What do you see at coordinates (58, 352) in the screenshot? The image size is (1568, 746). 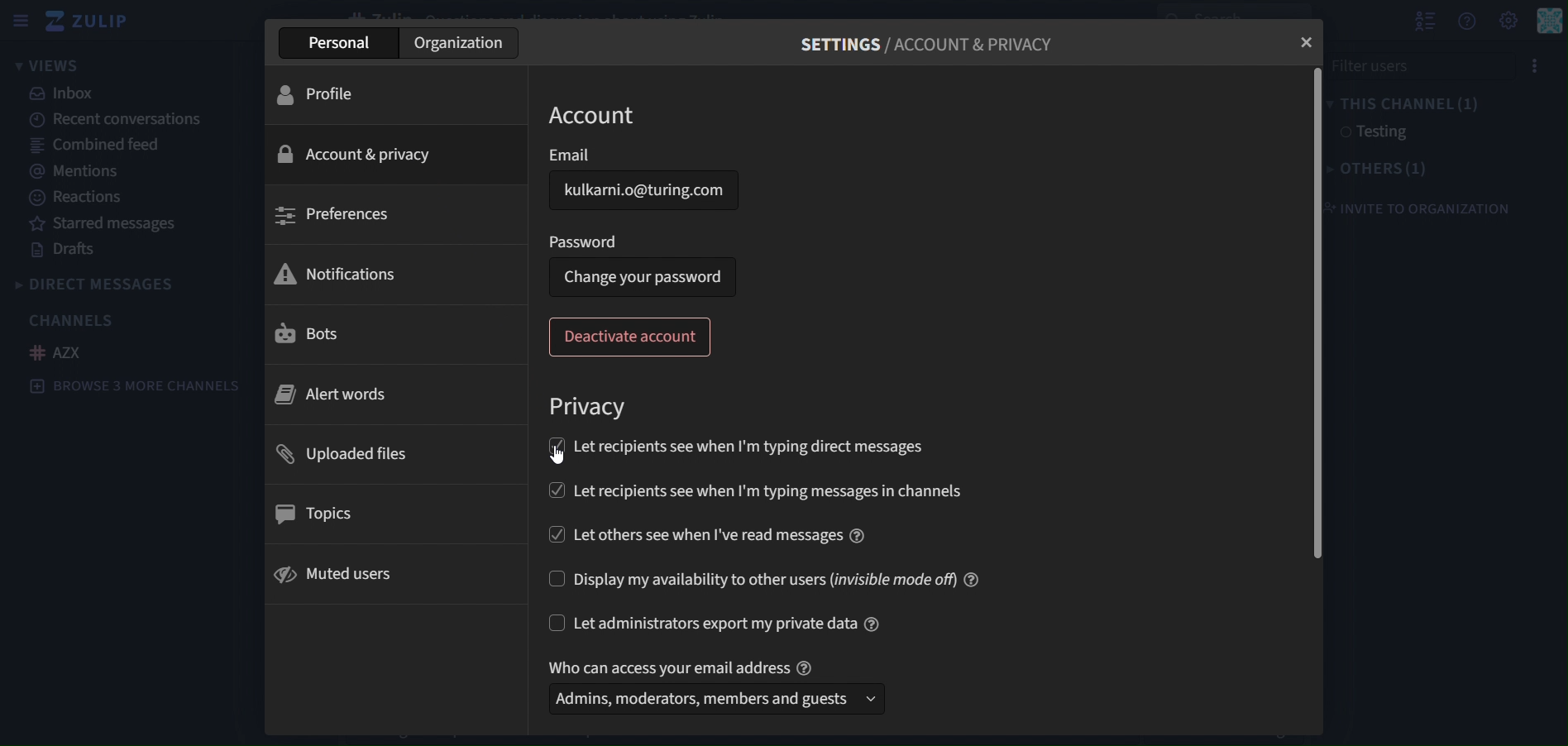 I see `AZX` at bounding box center [58, 352].